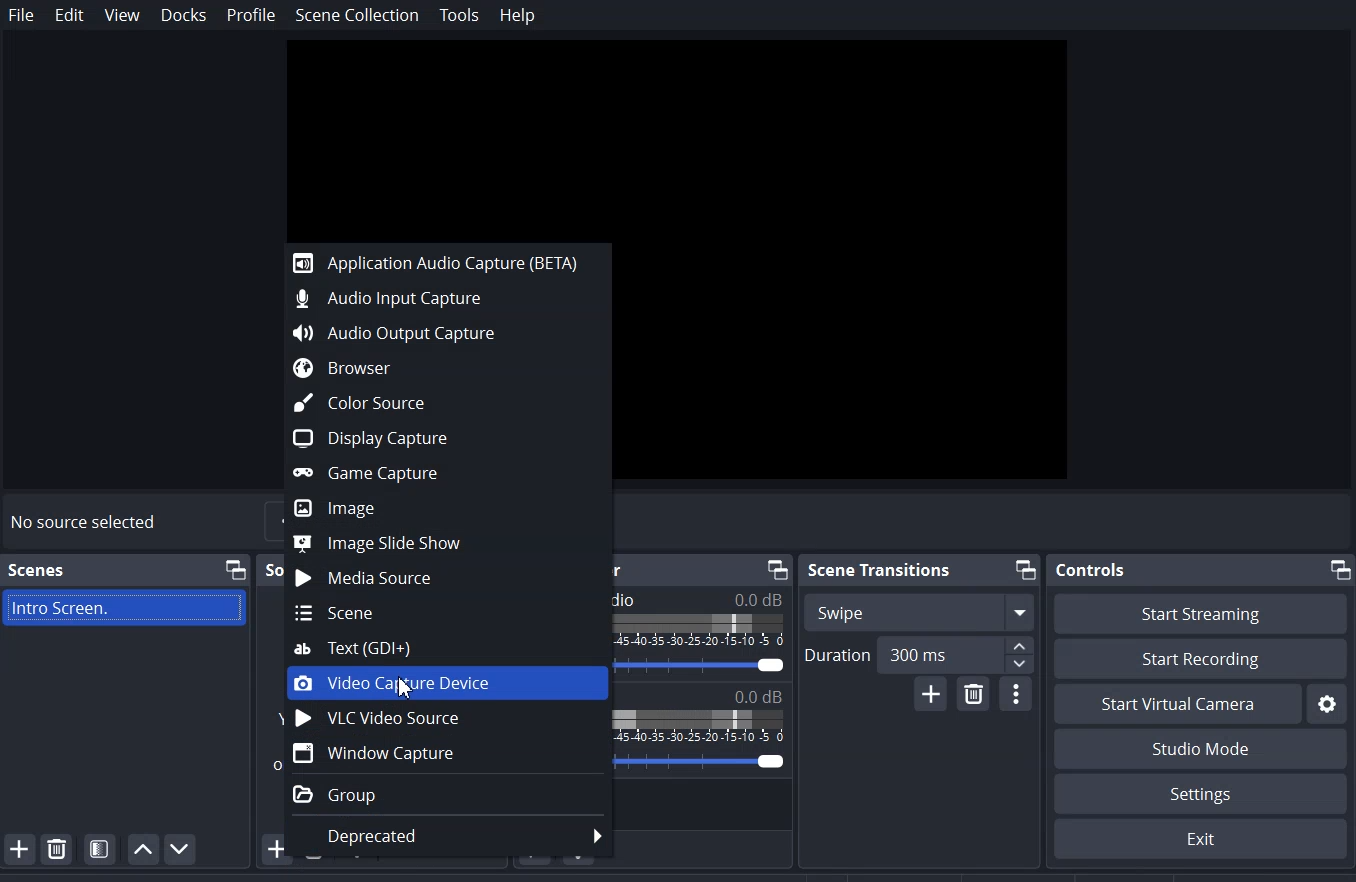 The width and height of the screenshot is (1356, 882). I want to click on Maximize, so click(1026, 570).